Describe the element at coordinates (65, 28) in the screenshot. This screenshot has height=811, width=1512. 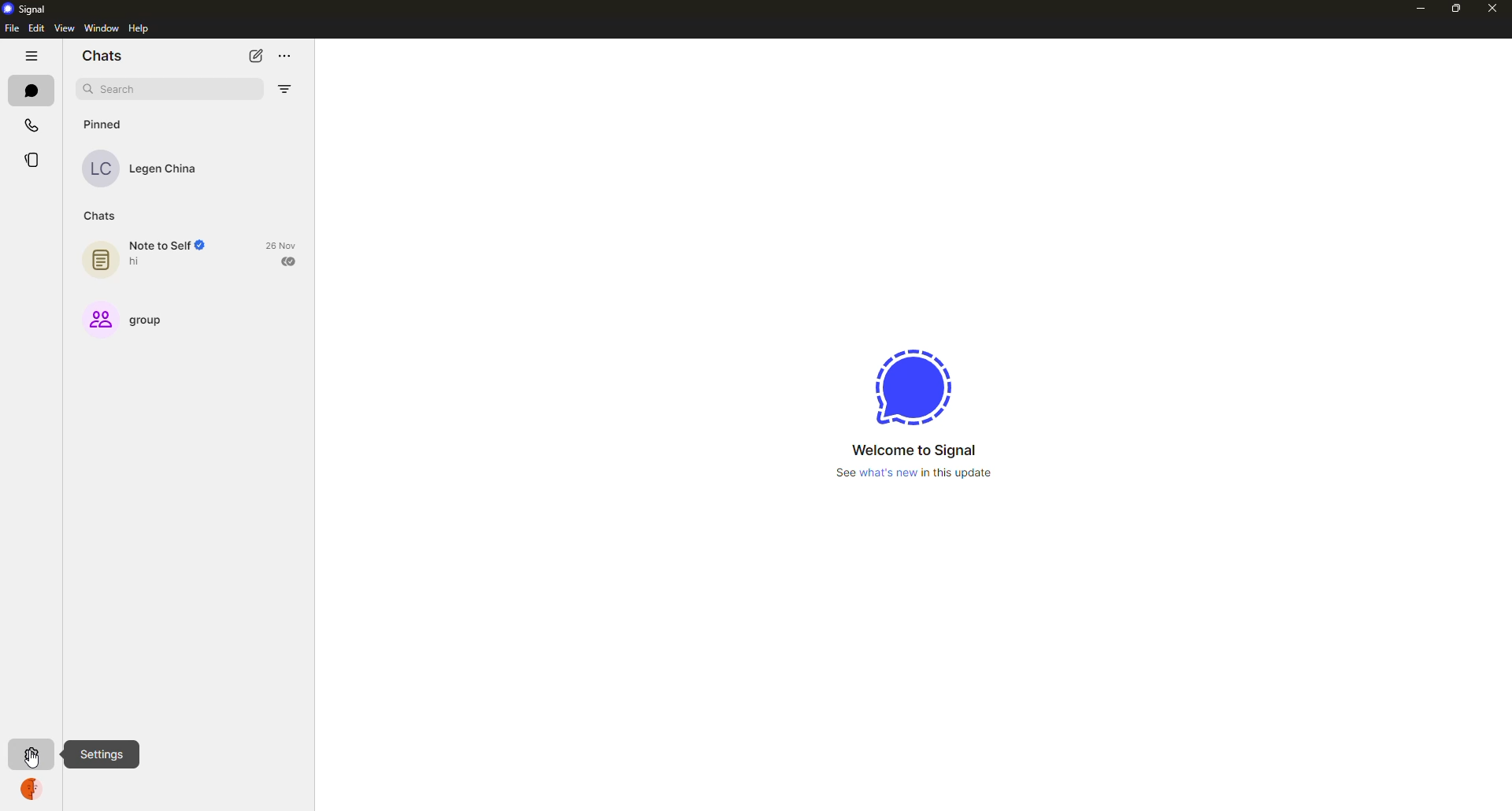
I see `view` at that location.